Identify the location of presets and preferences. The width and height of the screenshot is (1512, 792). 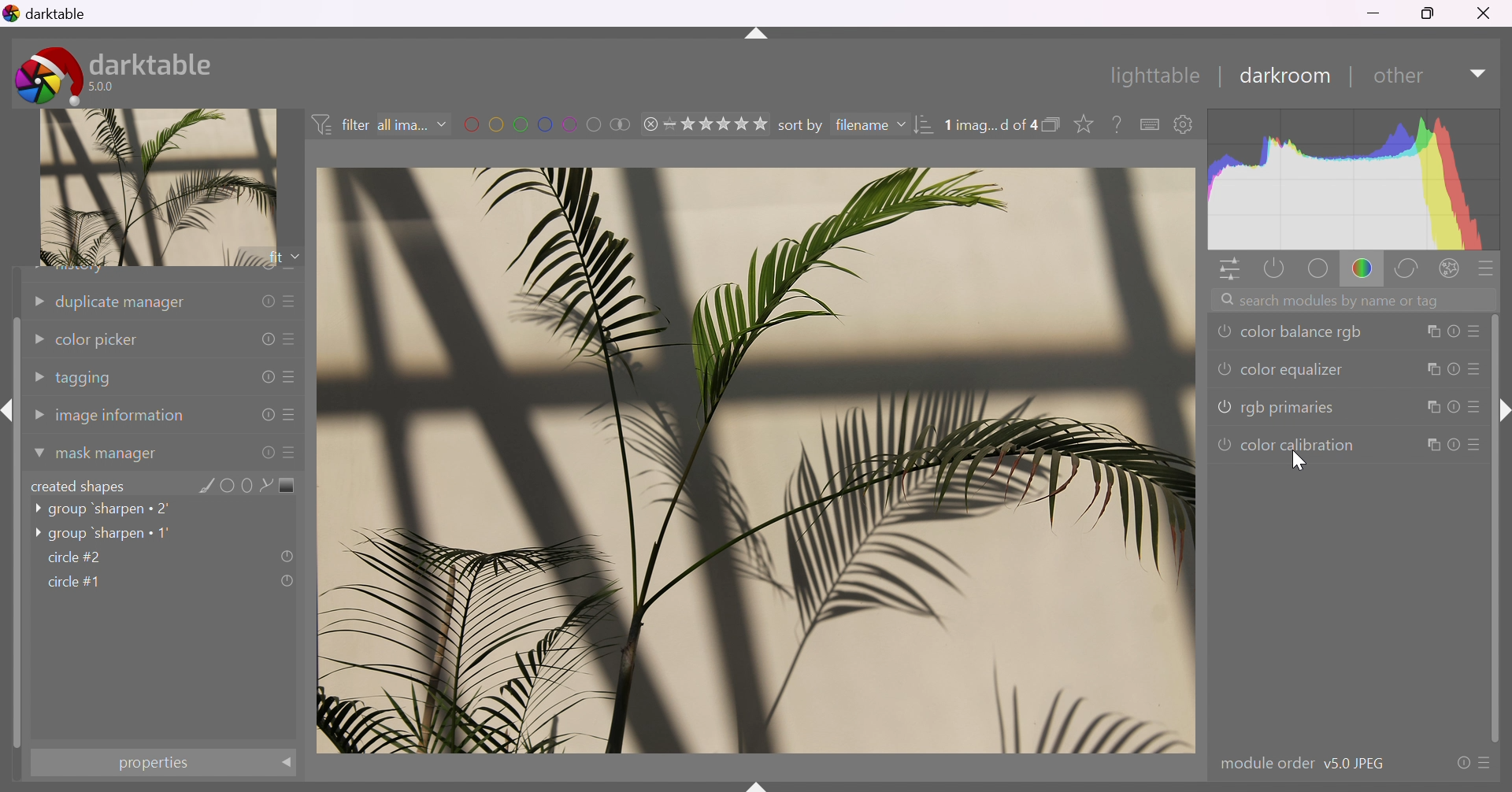
(1470, 761).